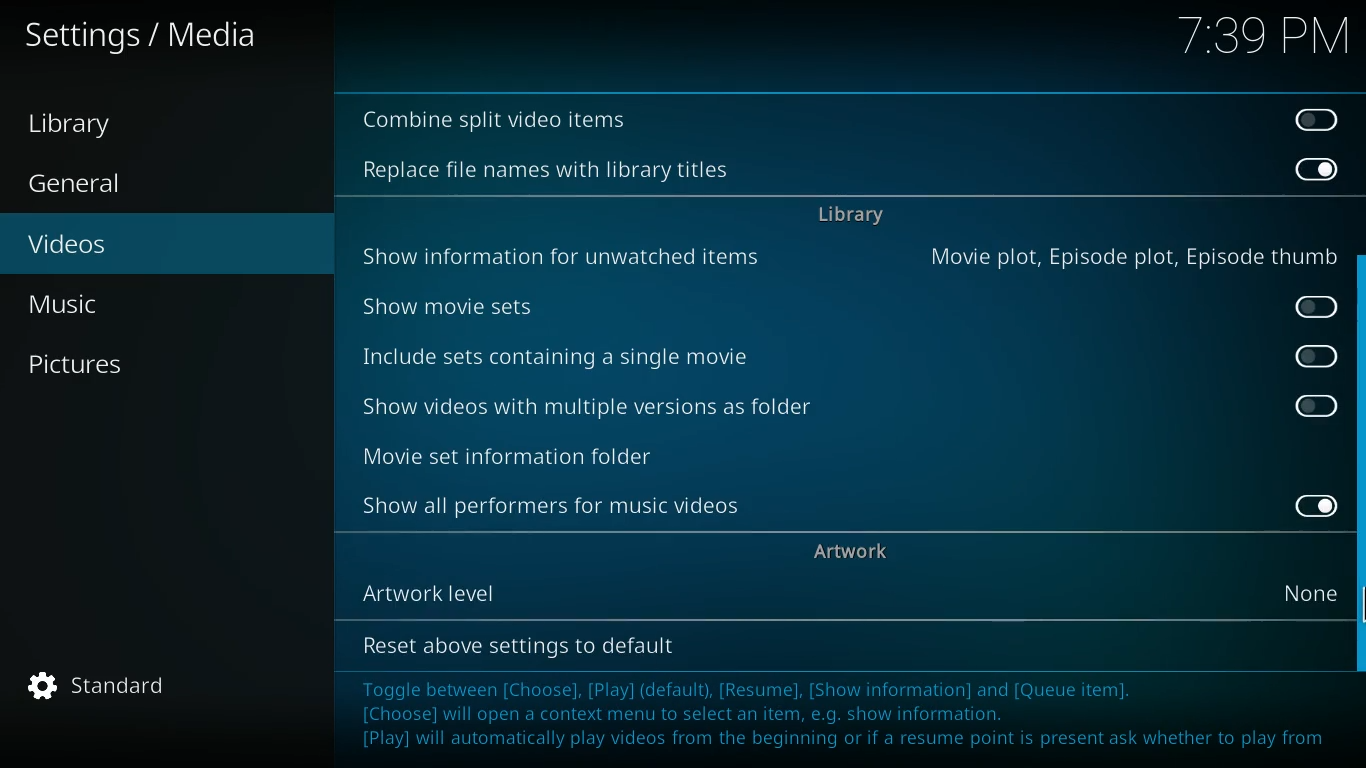 Image resolution: width=1366 pixels, height=768 pixels. I want to click on show movie sets, so click(502, 303).